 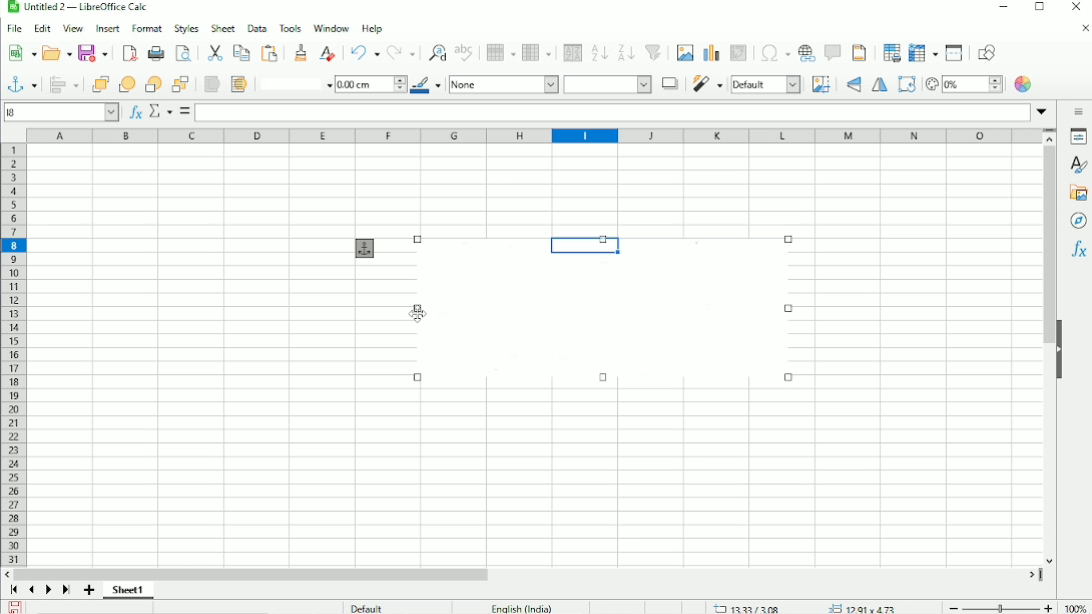 What do you see at coordinates (14, 590) in the screenshot?
I see `Scroll to first sheet` at bounding box center [14, 590].